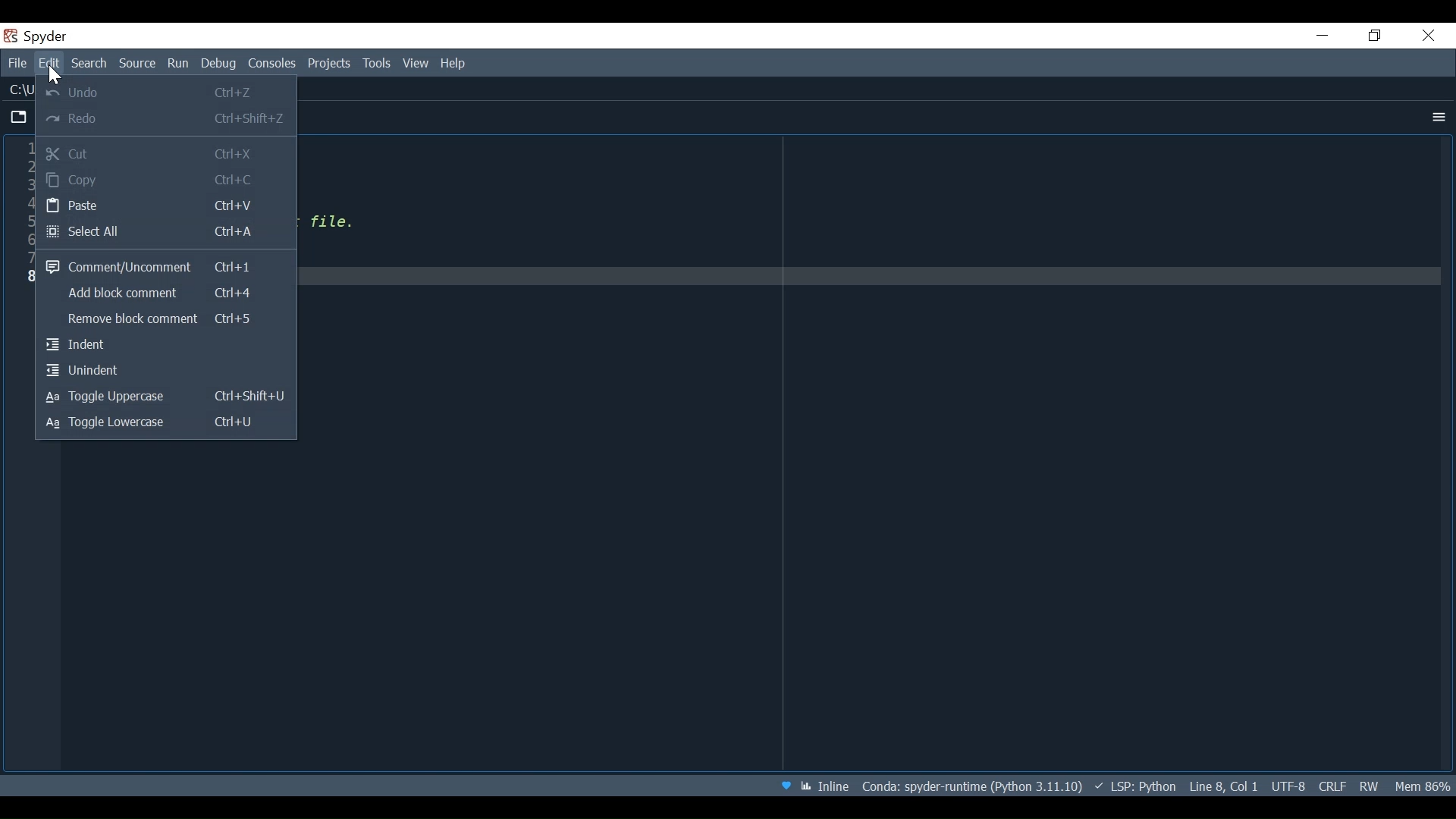  Describe the element at coordinates (239, 181) in the screenshot. I see `Ctri+C` at that location.